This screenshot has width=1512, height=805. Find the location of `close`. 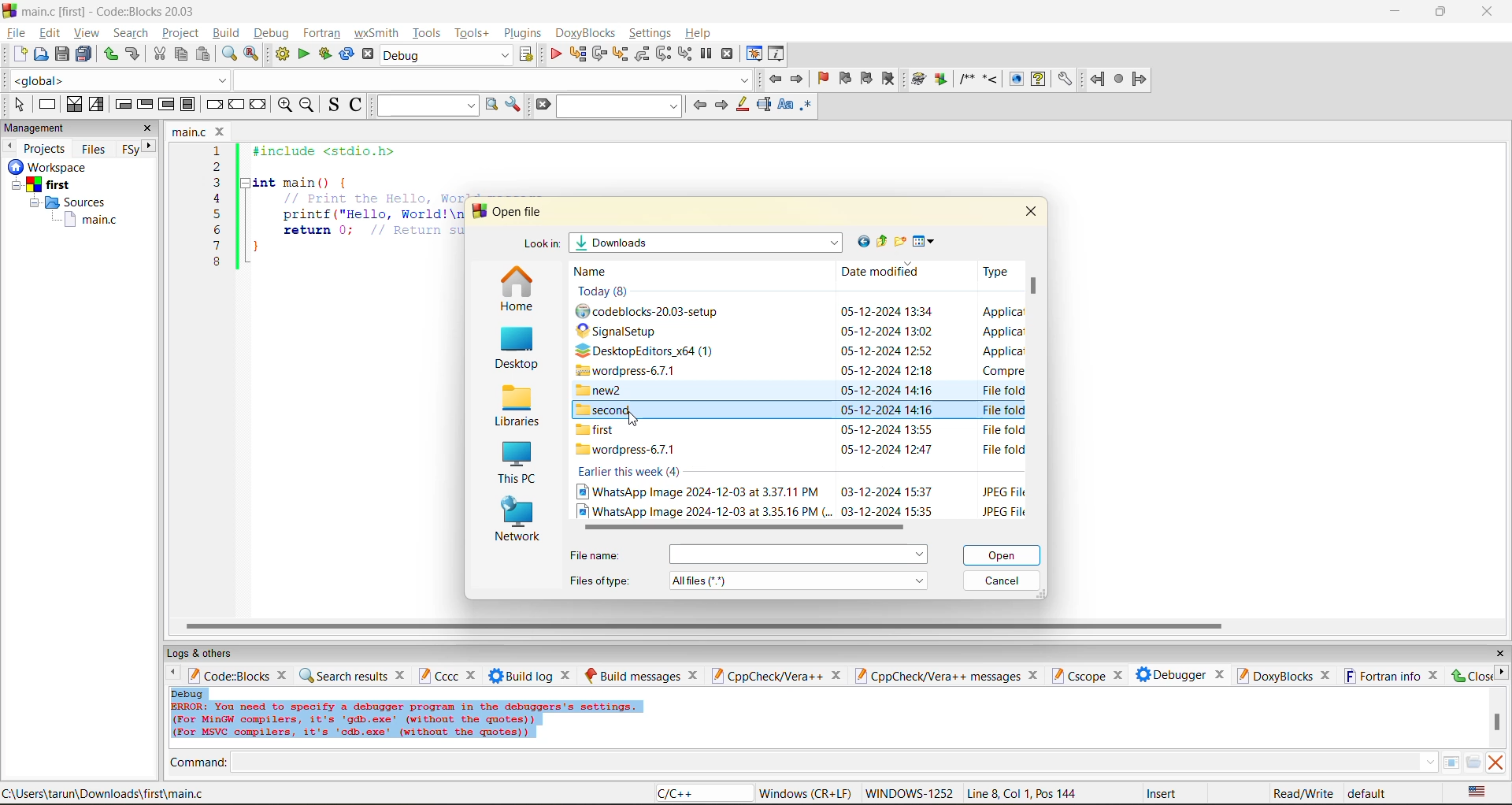

close is located at coordinates (1435, 675).